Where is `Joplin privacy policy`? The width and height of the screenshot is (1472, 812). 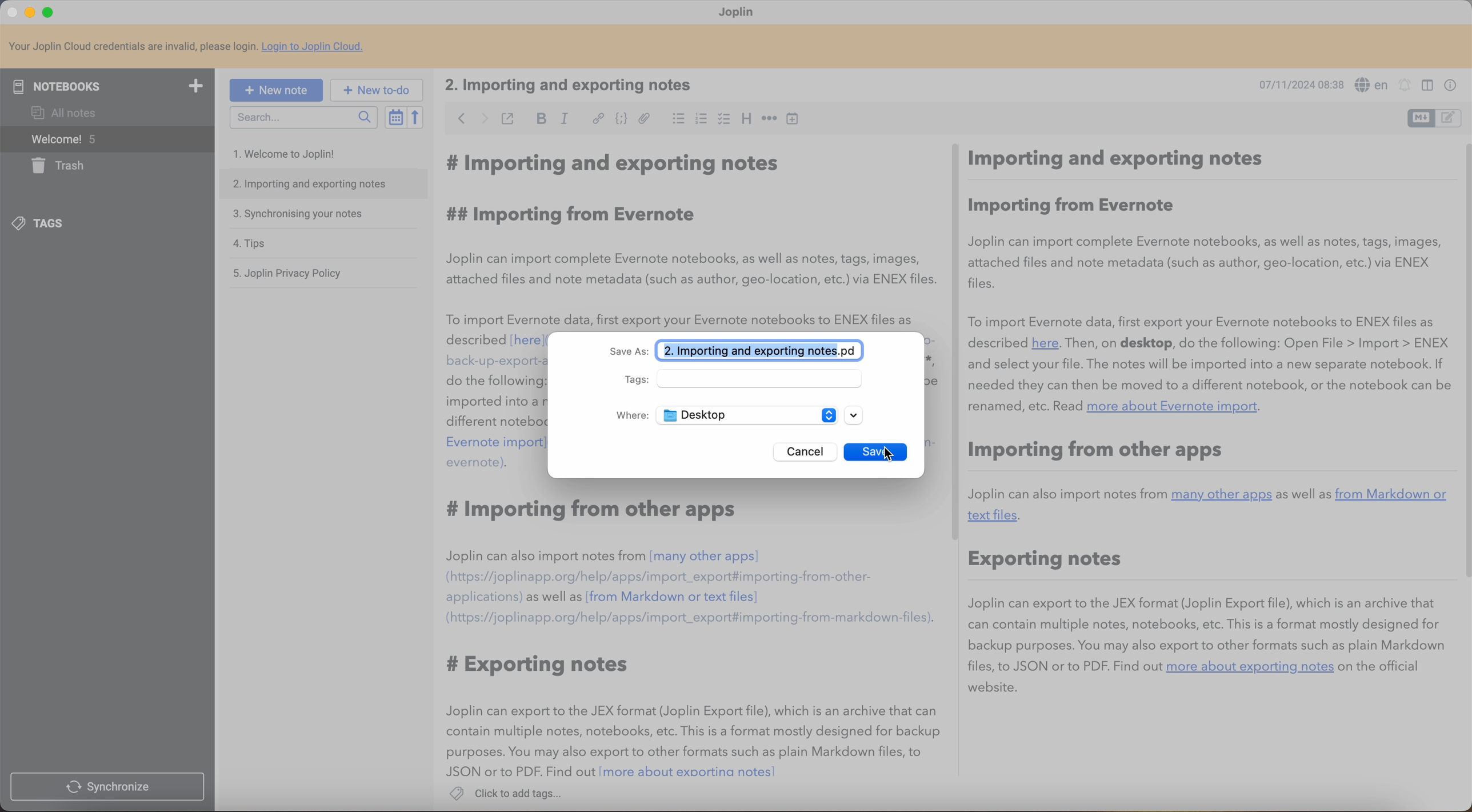
Joplin privacy policy is located at coordinates (290, 274).